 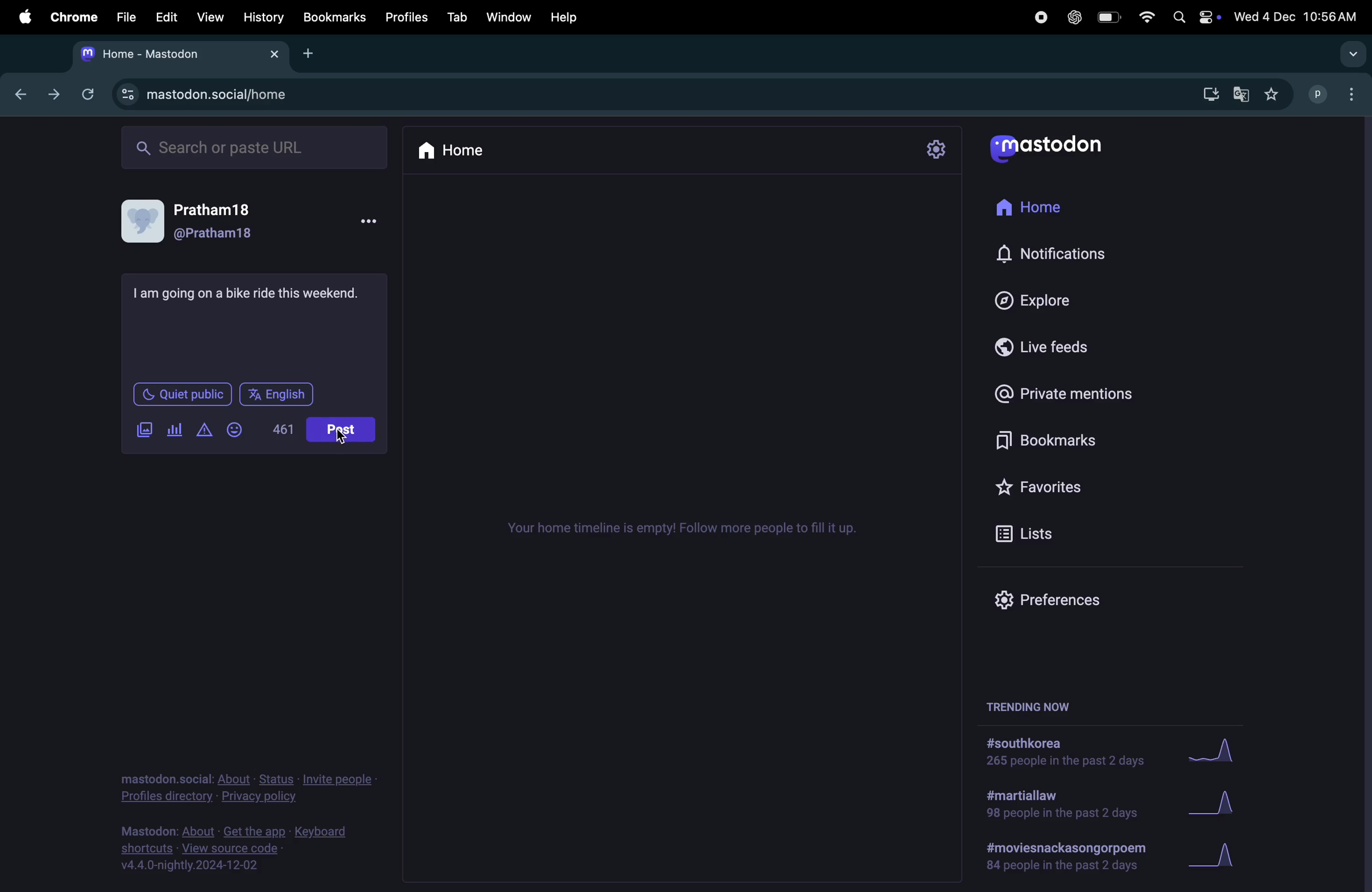 I want to click on Post, so click(x=342, y=428).